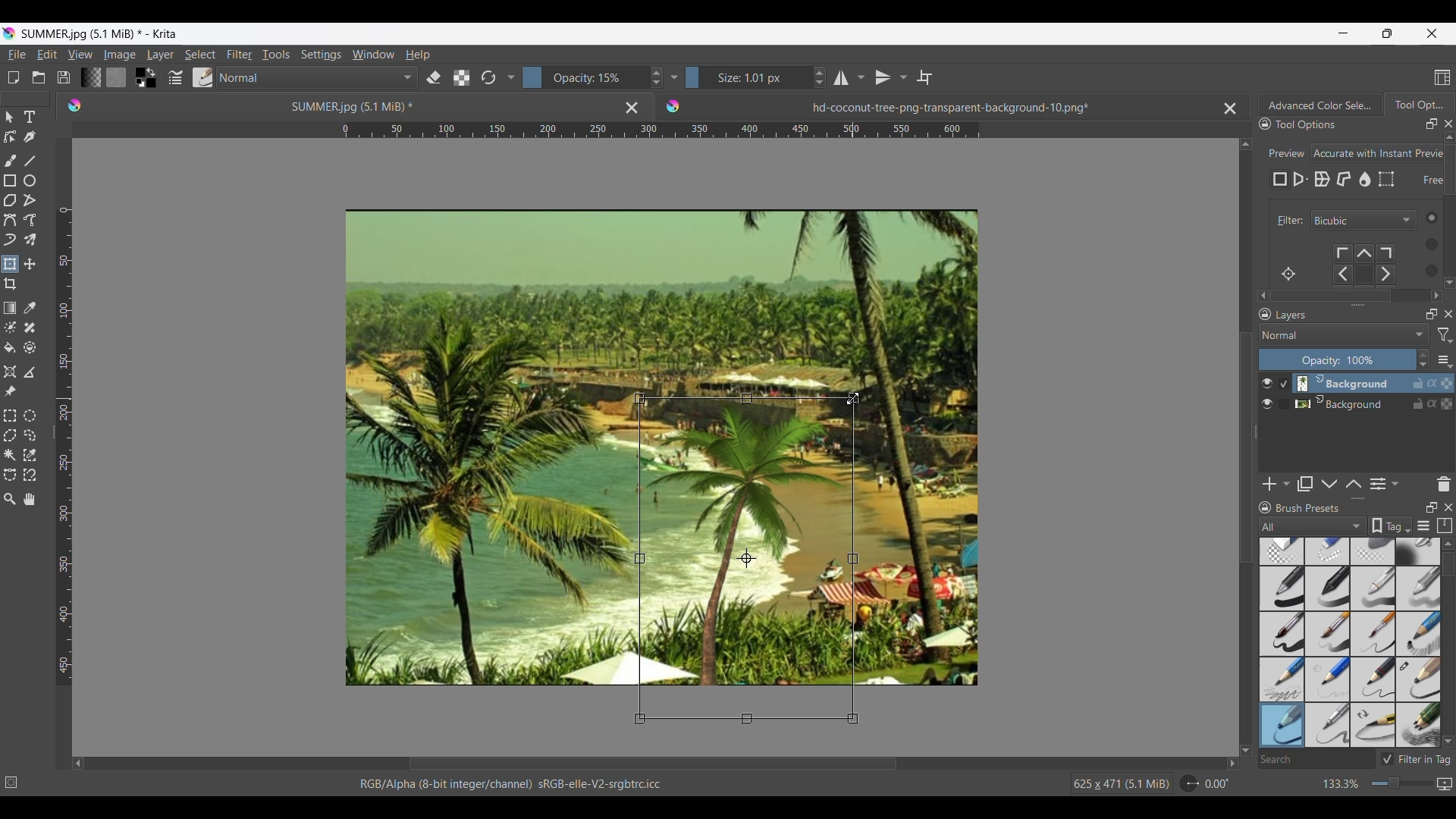  What do you see at coordinates (1395, 484) in the screenshot?
I see `Edit layer property options` at bounding box center [1395, 484].